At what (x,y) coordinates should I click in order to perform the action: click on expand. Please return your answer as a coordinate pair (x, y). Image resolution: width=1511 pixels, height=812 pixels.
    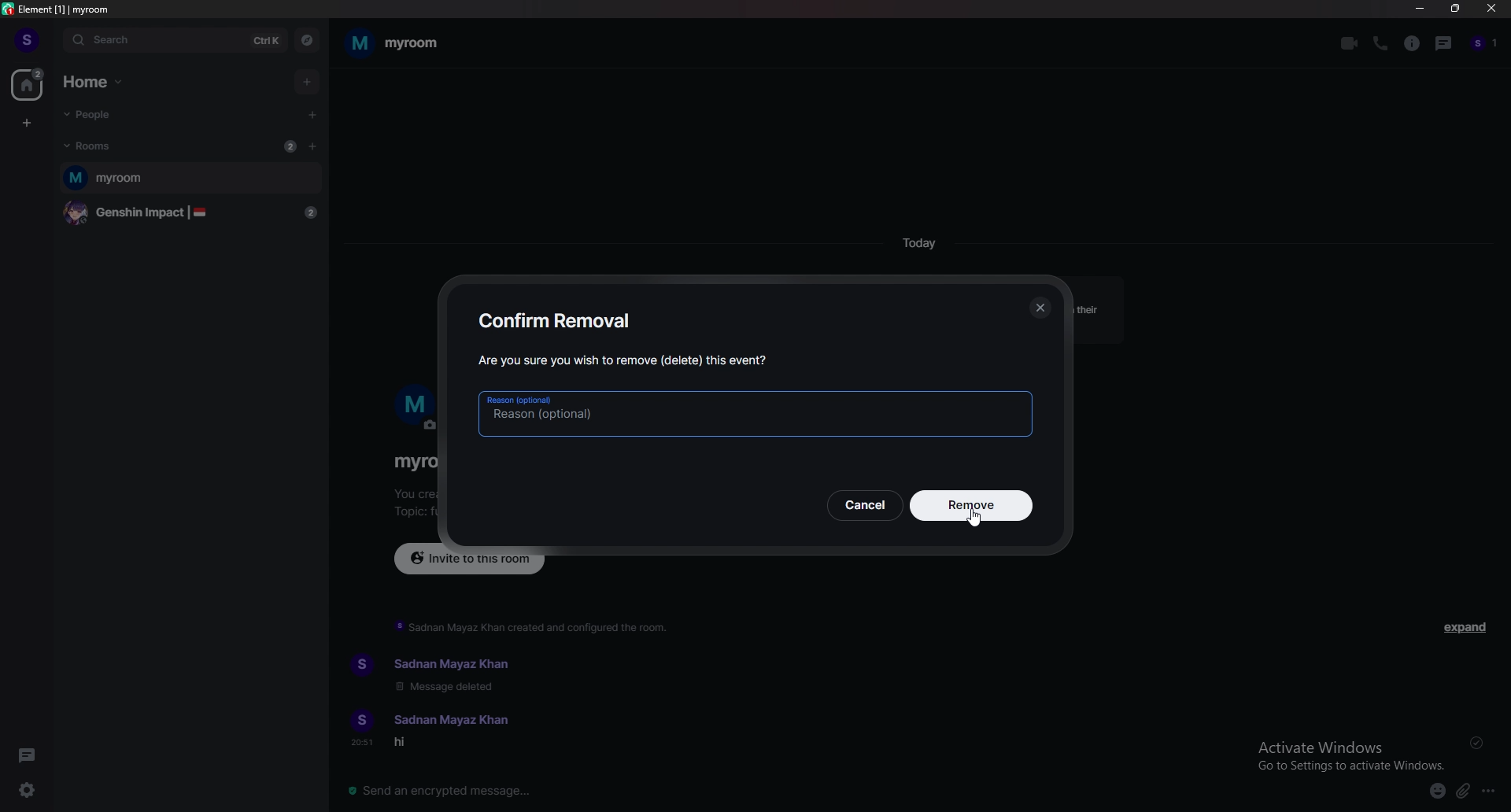
    Looking at the image, I should click on (1467, 627).